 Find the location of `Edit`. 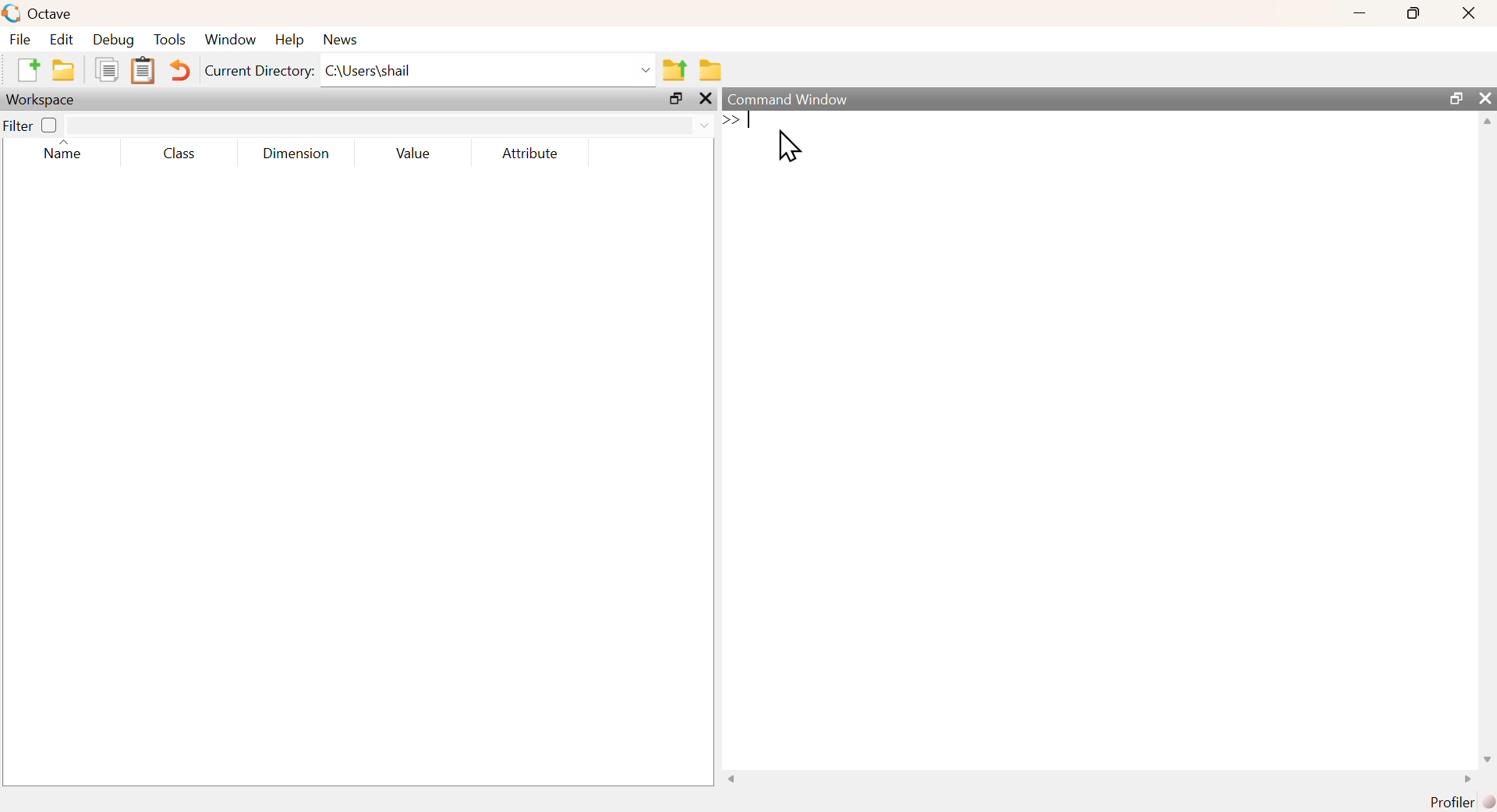

Edit is located at coordinates (58, 40).